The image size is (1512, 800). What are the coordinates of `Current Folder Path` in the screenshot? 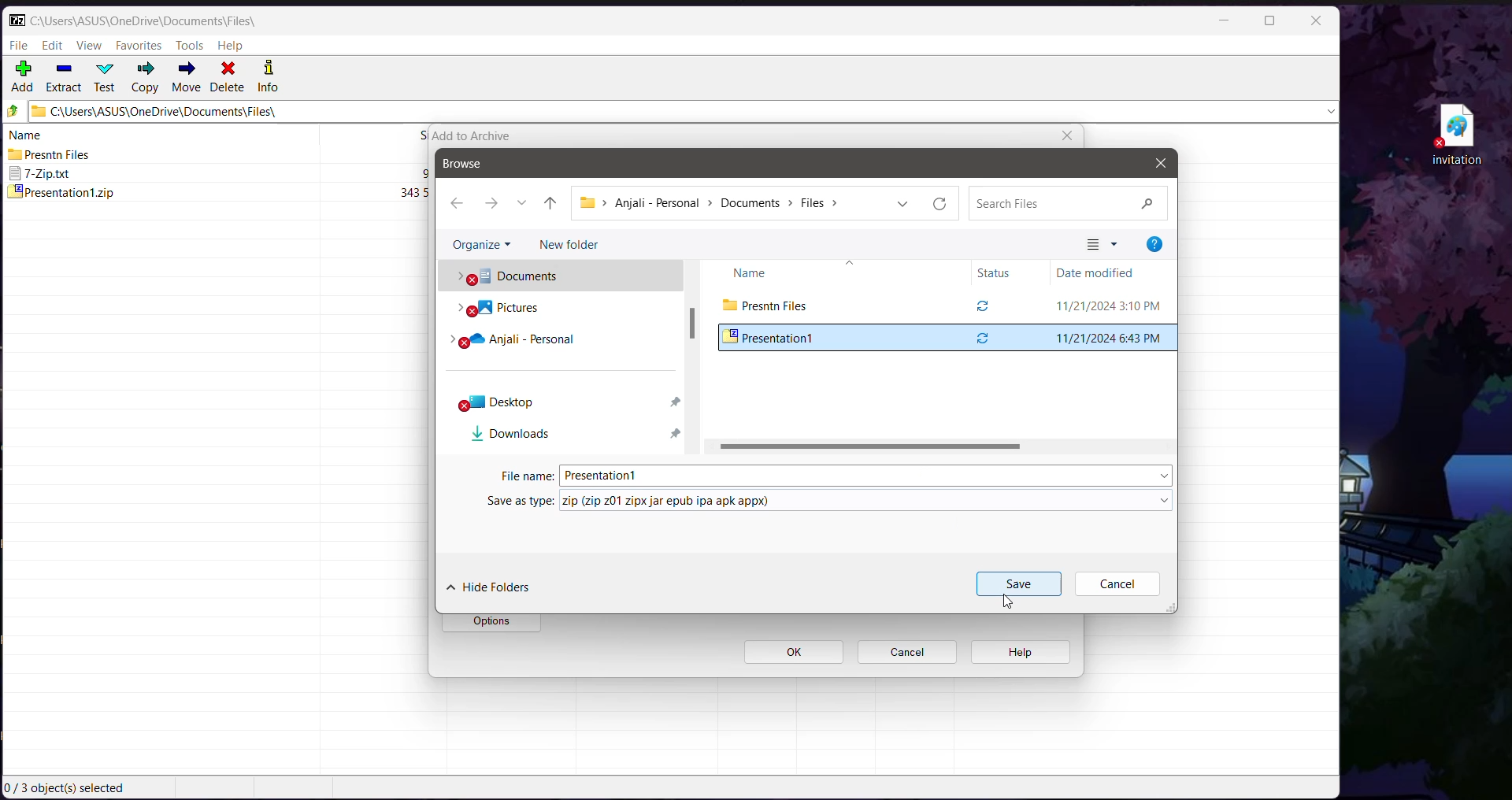 It's located at (682, 113).